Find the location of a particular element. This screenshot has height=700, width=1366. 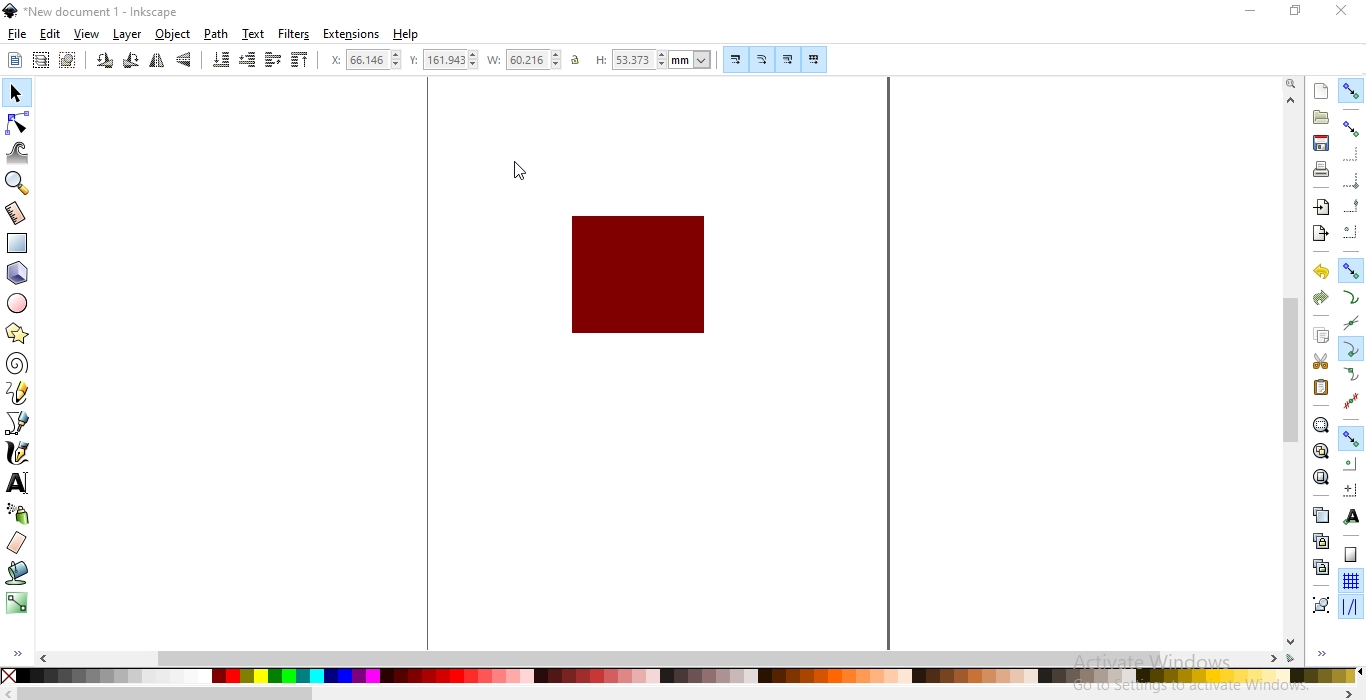

create duplicate is located at coordinates (1321, 514).